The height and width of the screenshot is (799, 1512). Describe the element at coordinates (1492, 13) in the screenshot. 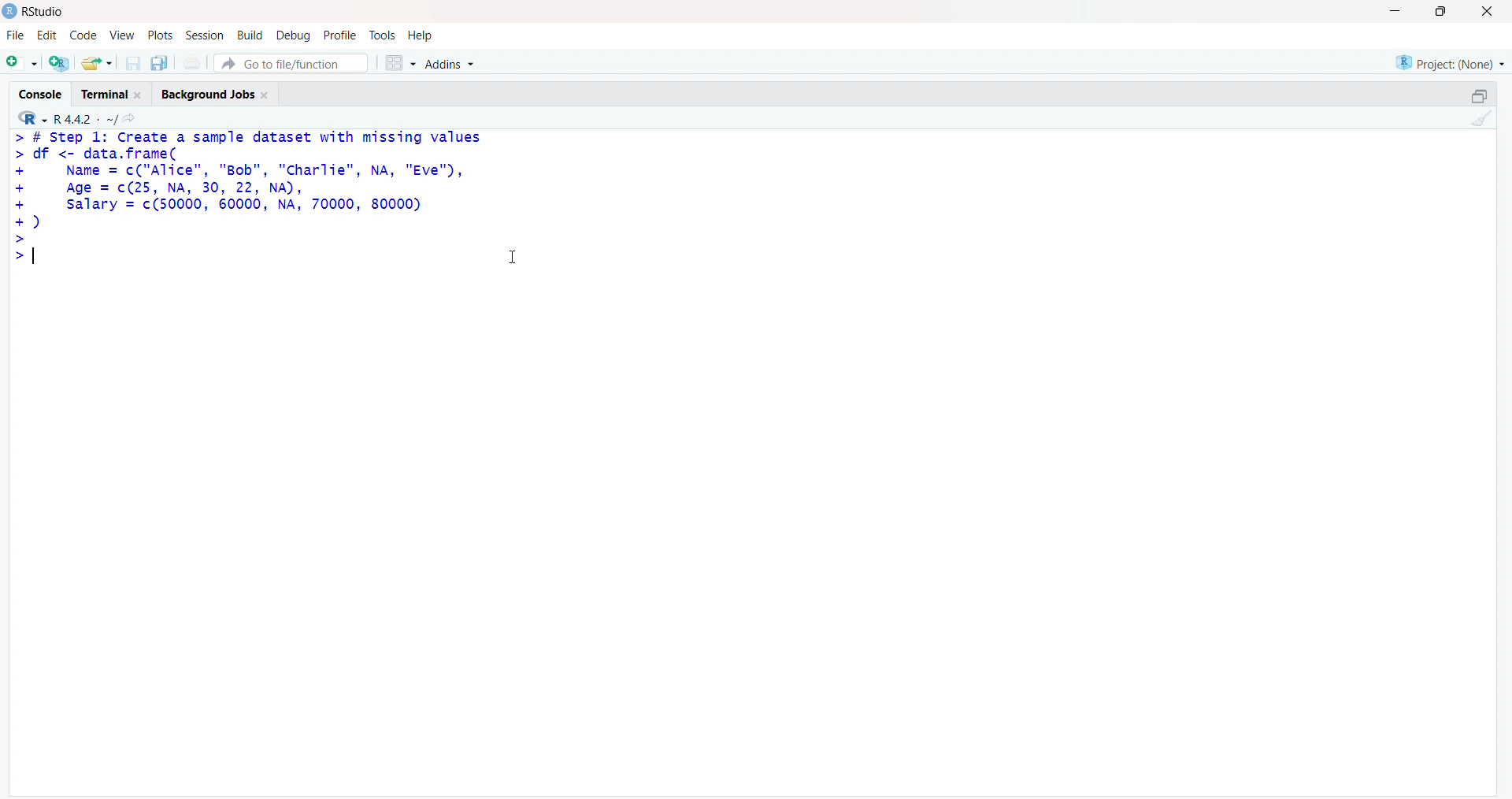

I see `Close` at that location.